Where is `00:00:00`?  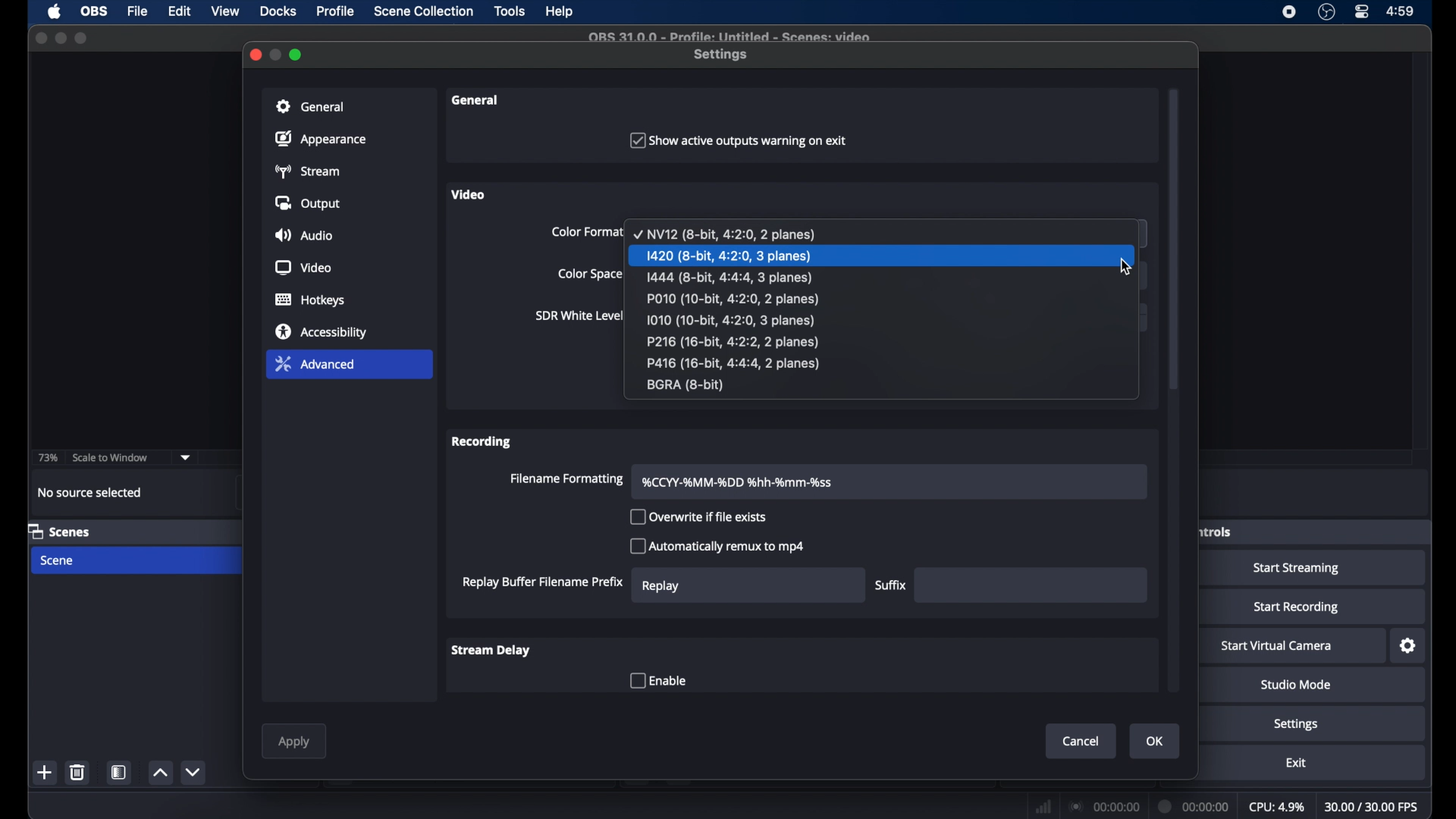
00:00:00 is located at coordinates (1195, 807).